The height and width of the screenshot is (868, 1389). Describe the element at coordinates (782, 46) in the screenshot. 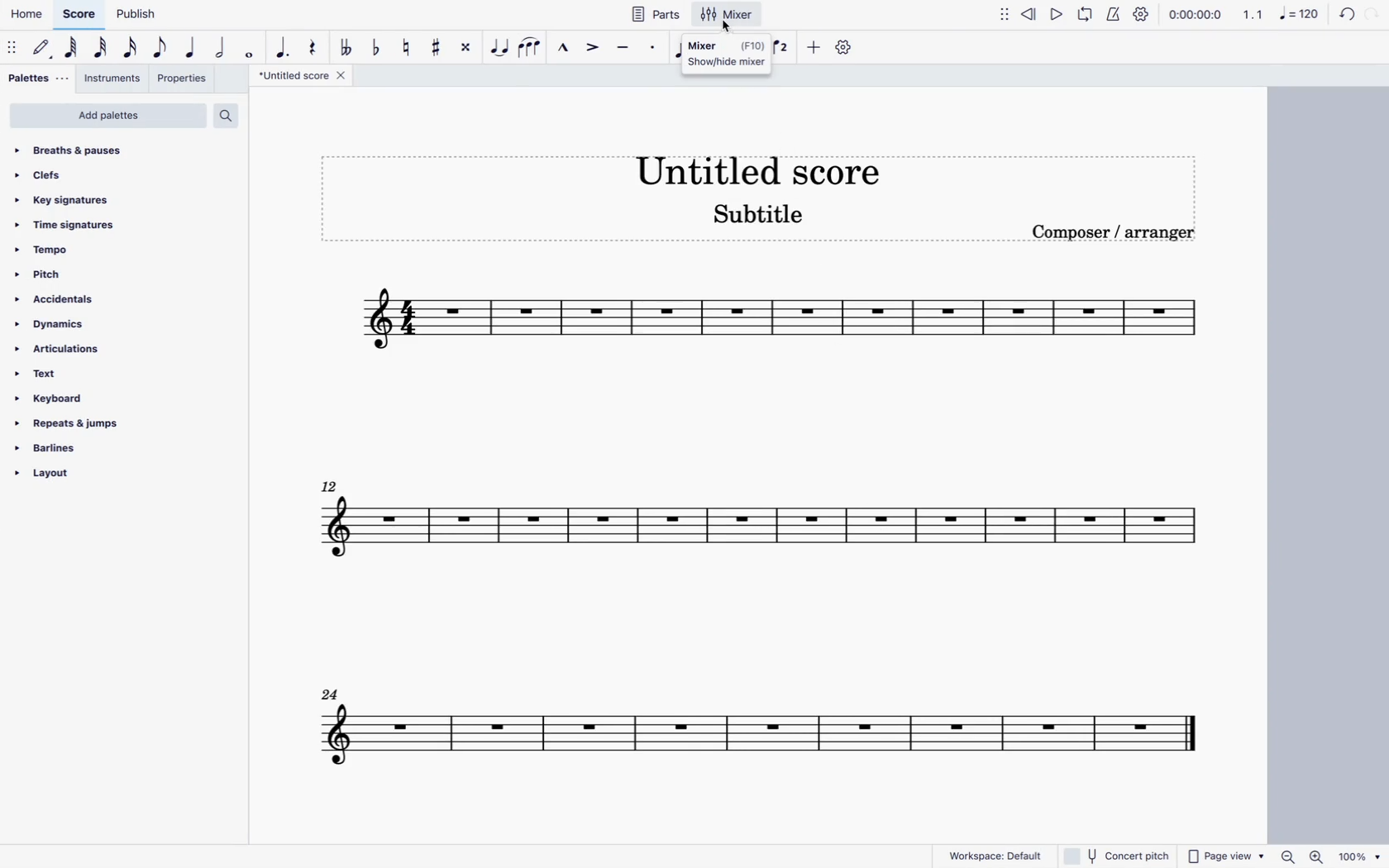

I see `voice 2` at that location.